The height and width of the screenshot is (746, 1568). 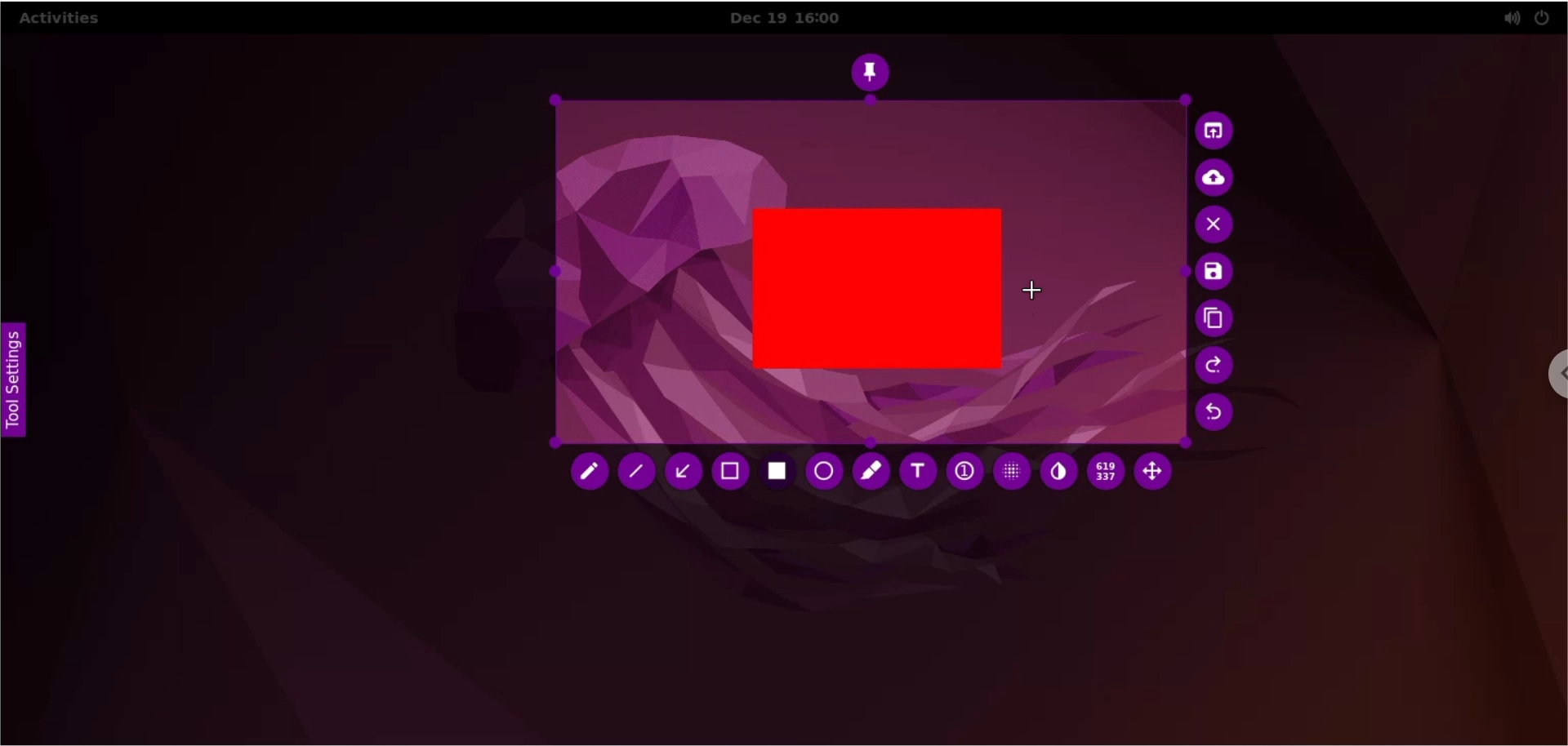 I want to click on choose app to open screenshot, so click(x=1216, y=131).